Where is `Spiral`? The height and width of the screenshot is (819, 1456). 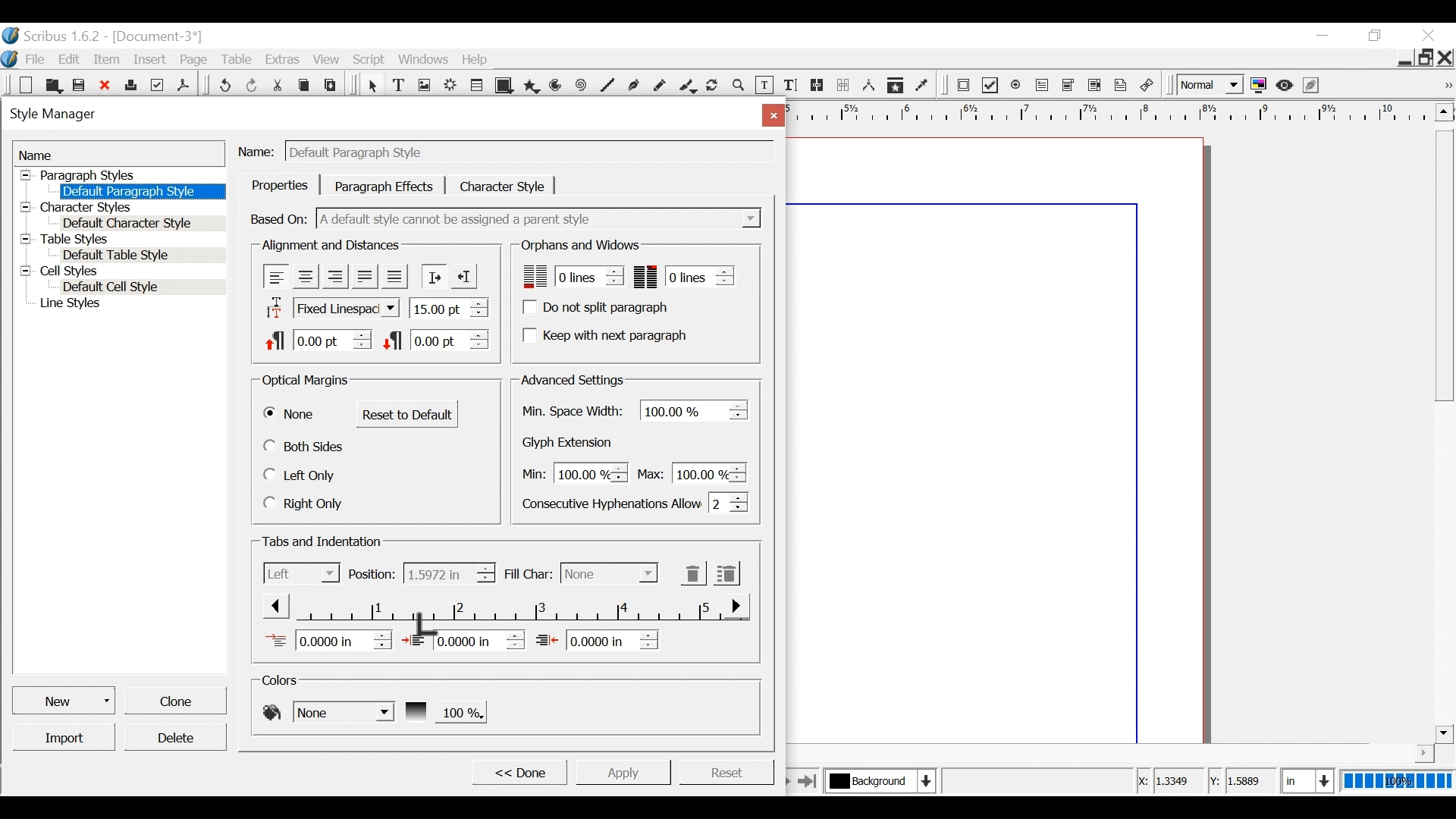 Spiral is located at coordinates (582, 86).